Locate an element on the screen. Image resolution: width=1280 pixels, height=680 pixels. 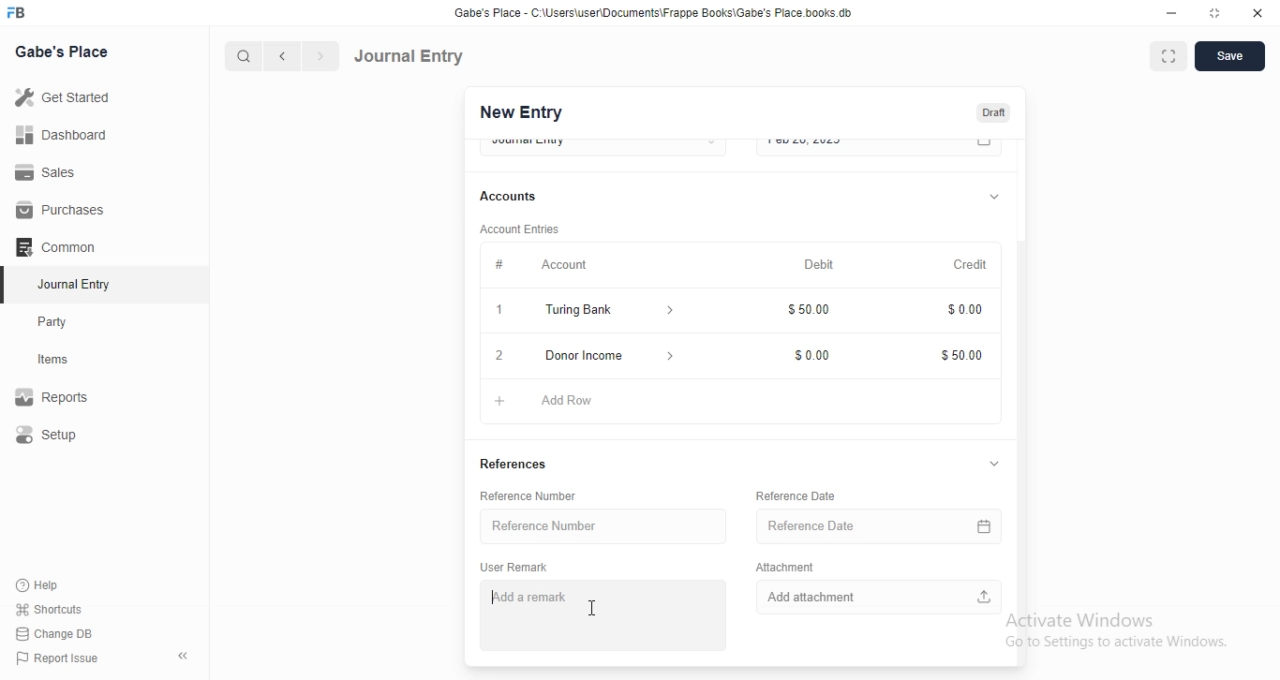
$5000 is located at coordinates (962, 356).